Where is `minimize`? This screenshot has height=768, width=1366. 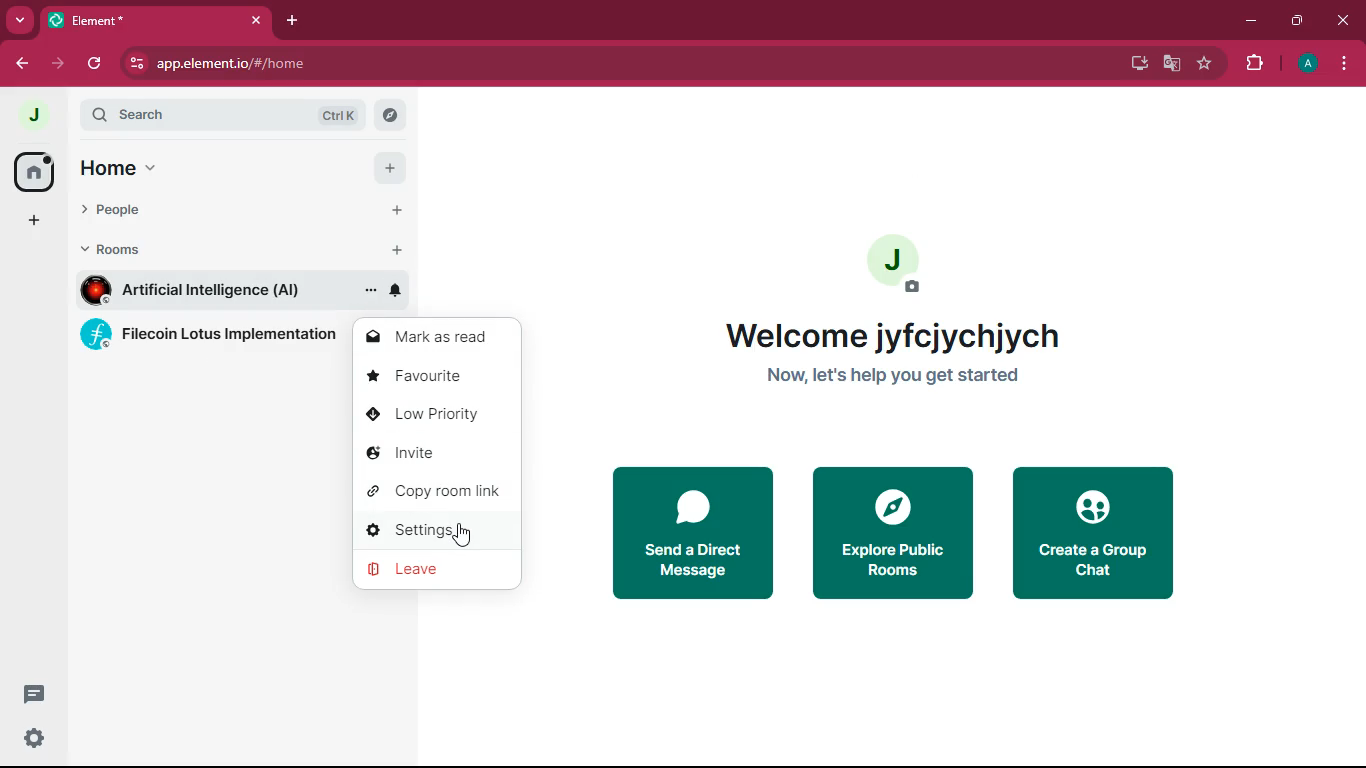
minimize is located at coordinates (1253, 20).